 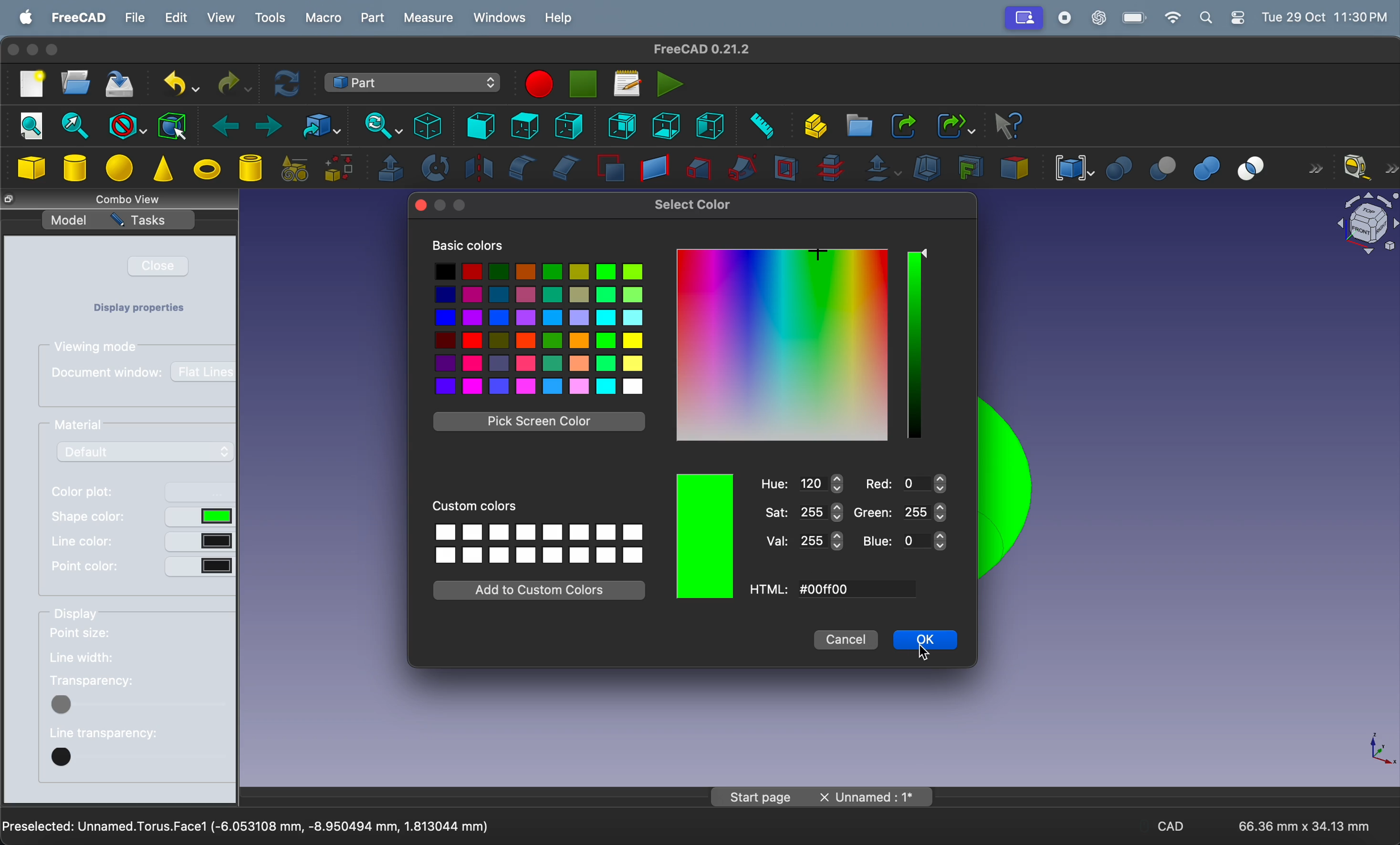 What do you see at coordinates (968, 167) in the screenshot?
I see `create projection on surface` at bounding box center [968, 167].